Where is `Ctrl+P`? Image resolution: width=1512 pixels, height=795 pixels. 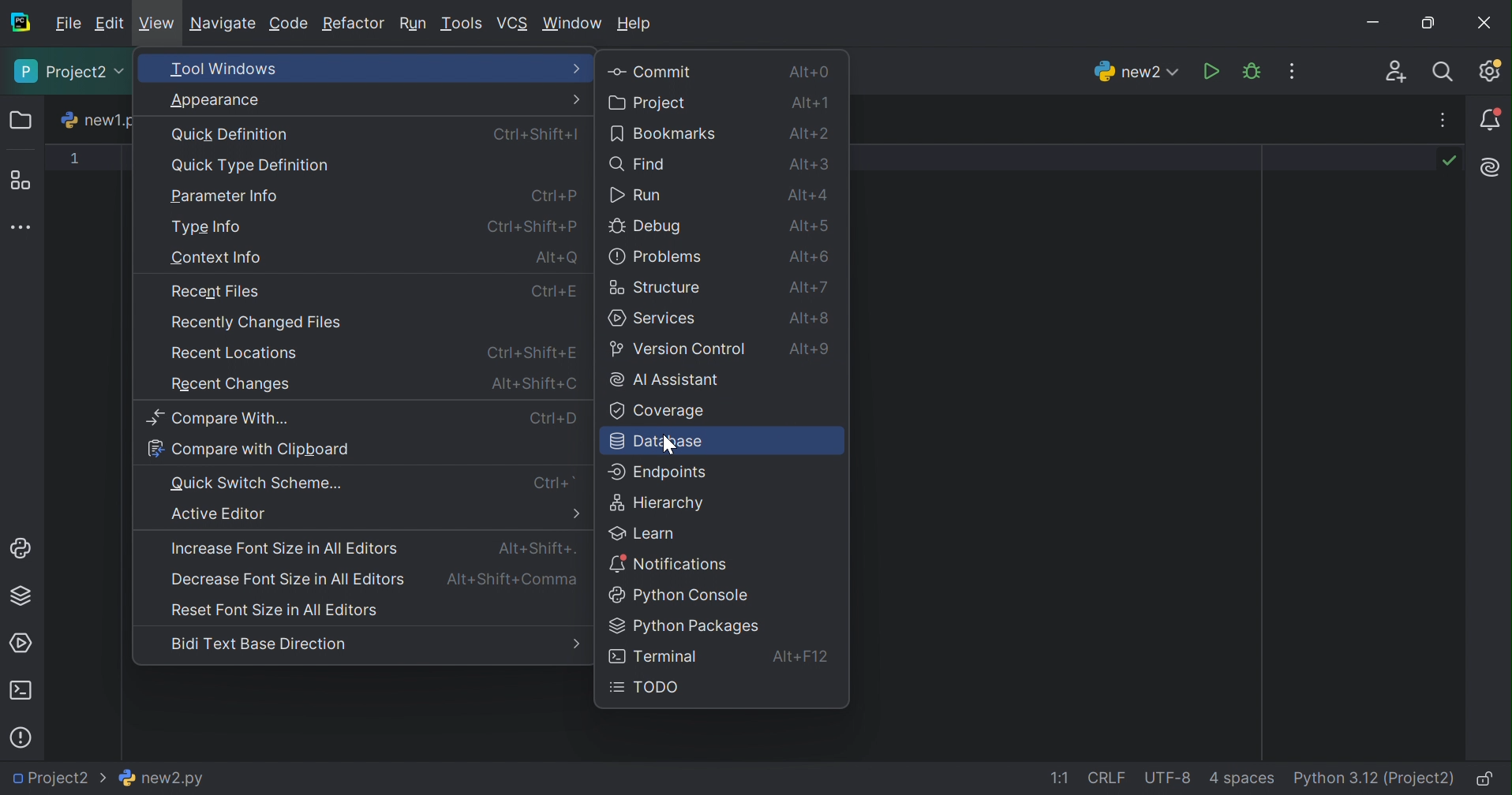
Ctrl+P is located at coordinates (553, 194).